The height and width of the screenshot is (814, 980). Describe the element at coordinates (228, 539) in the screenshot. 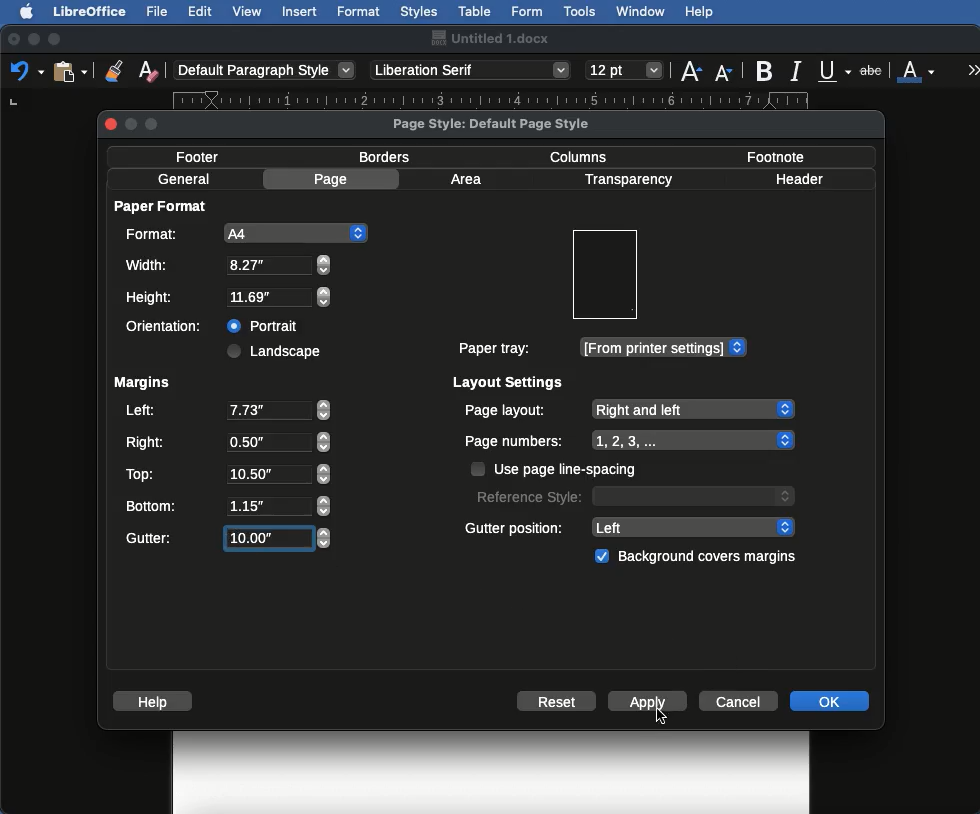

I see `Gutter` at that location.